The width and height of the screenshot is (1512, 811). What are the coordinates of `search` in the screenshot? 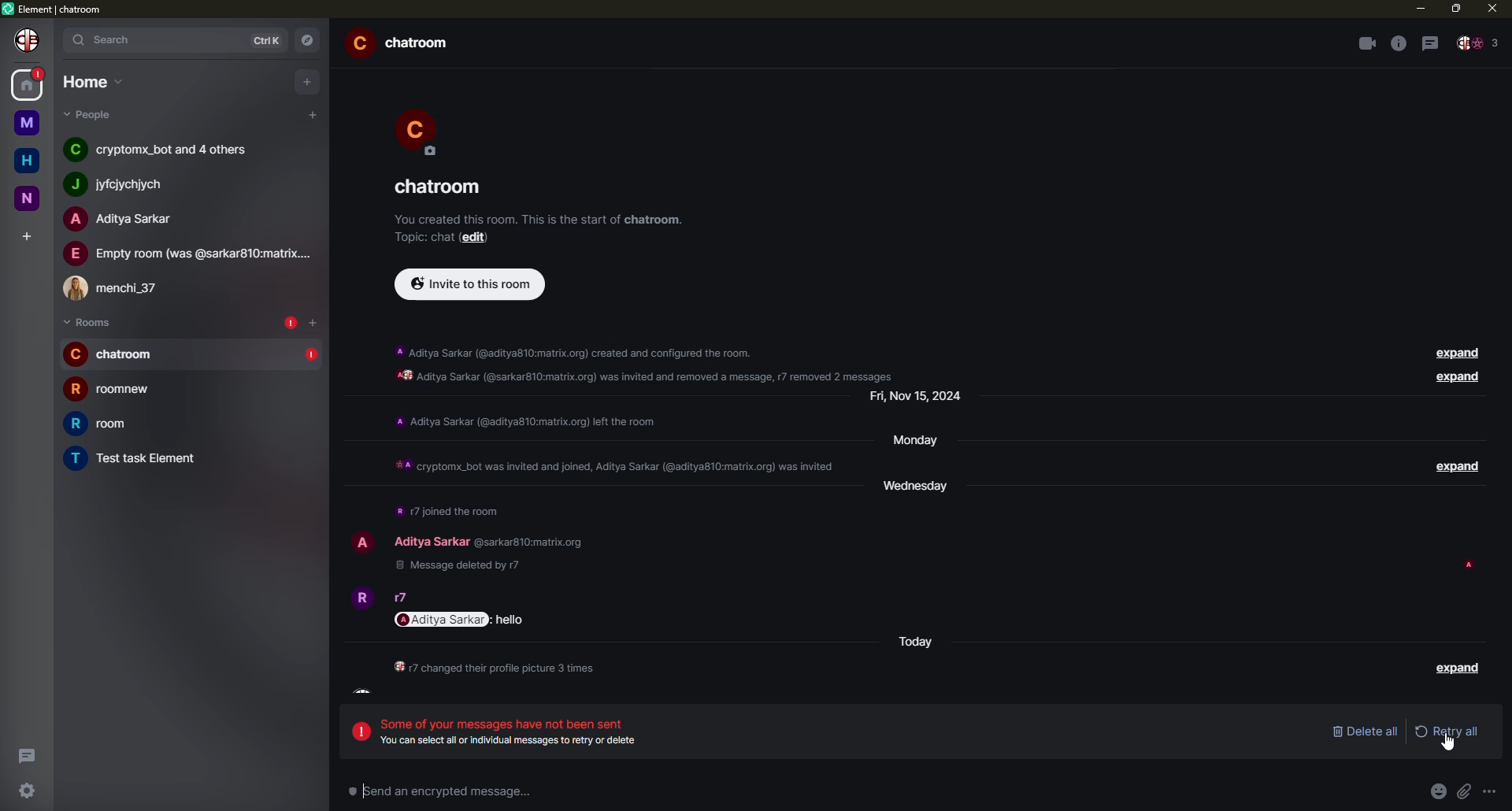 It's located at (114, 39).